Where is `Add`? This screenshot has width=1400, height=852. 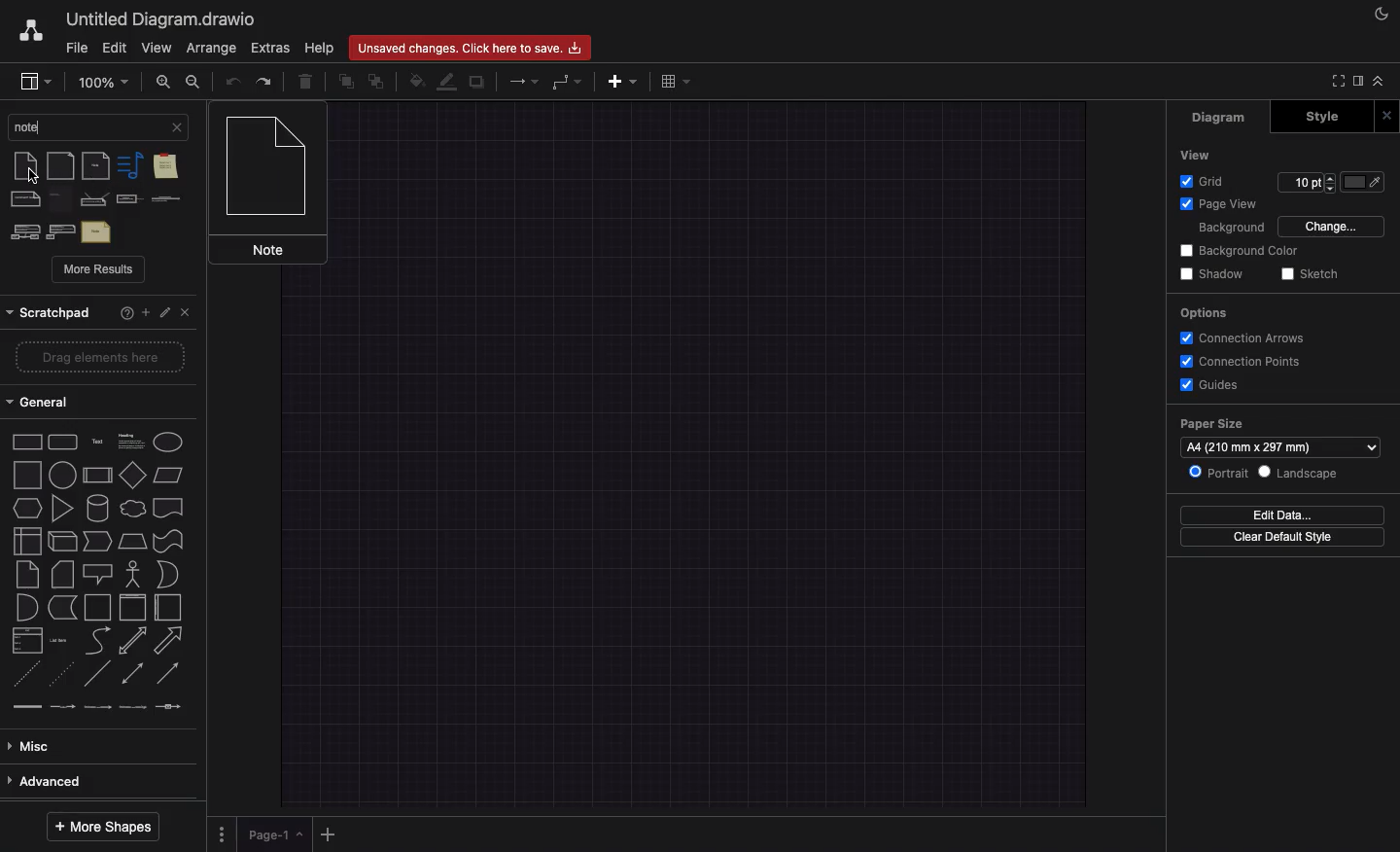
Add is located at coordinates (626, 81).